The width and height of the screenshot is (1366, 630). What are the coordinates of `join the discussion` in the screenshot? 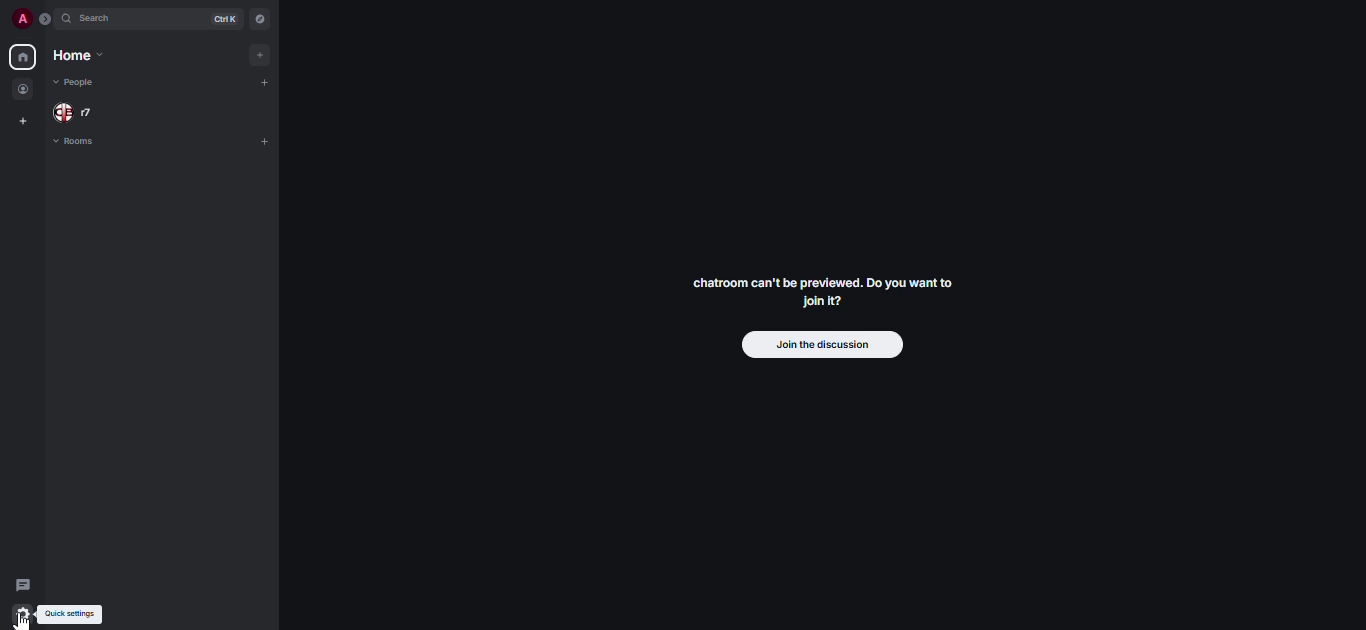 It's located at (822, 345).